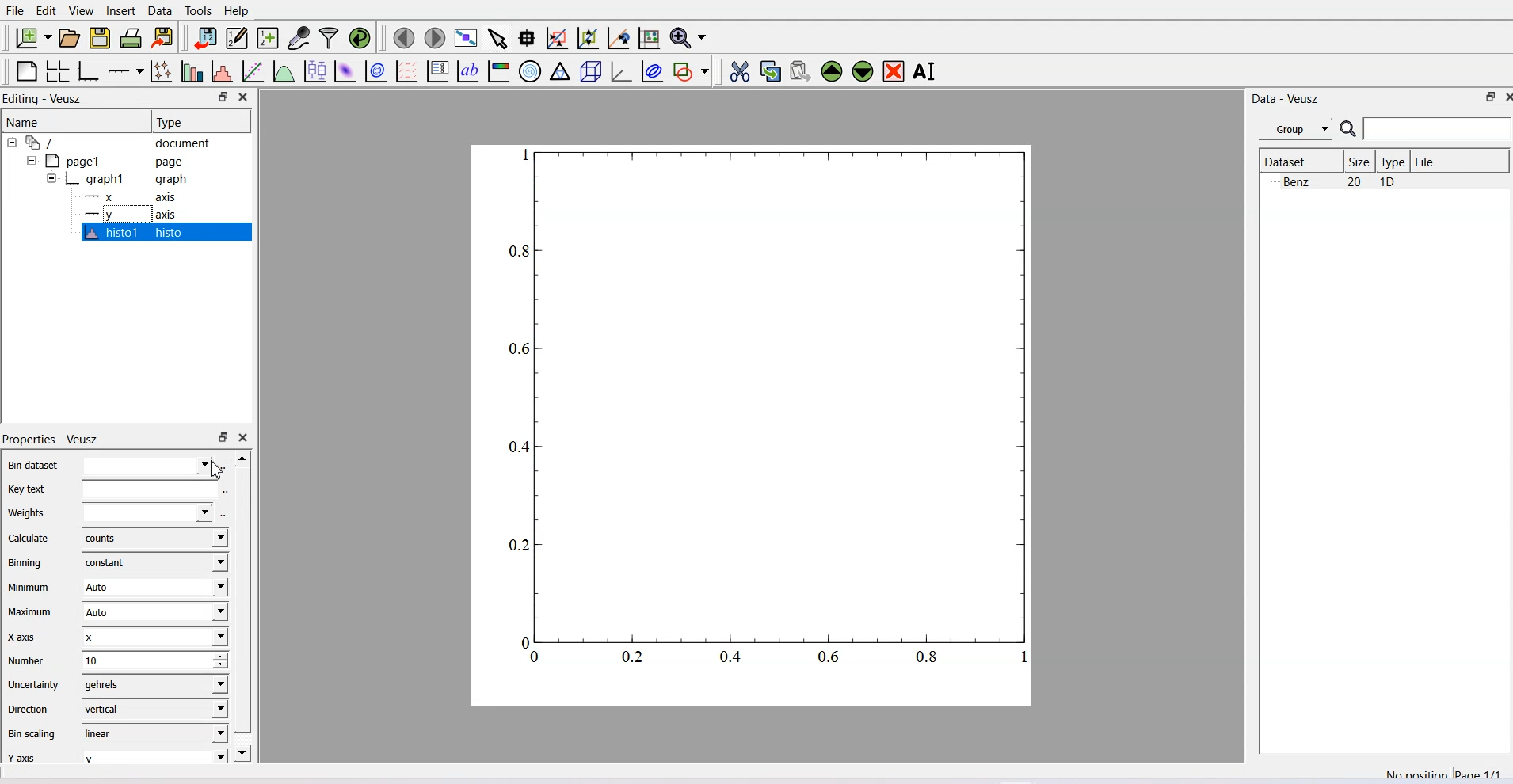 This screenshot has width=1513, height=784. Describe the element at coordinates (285, 70) in the screenshot. I see `Plot a function` at that location.